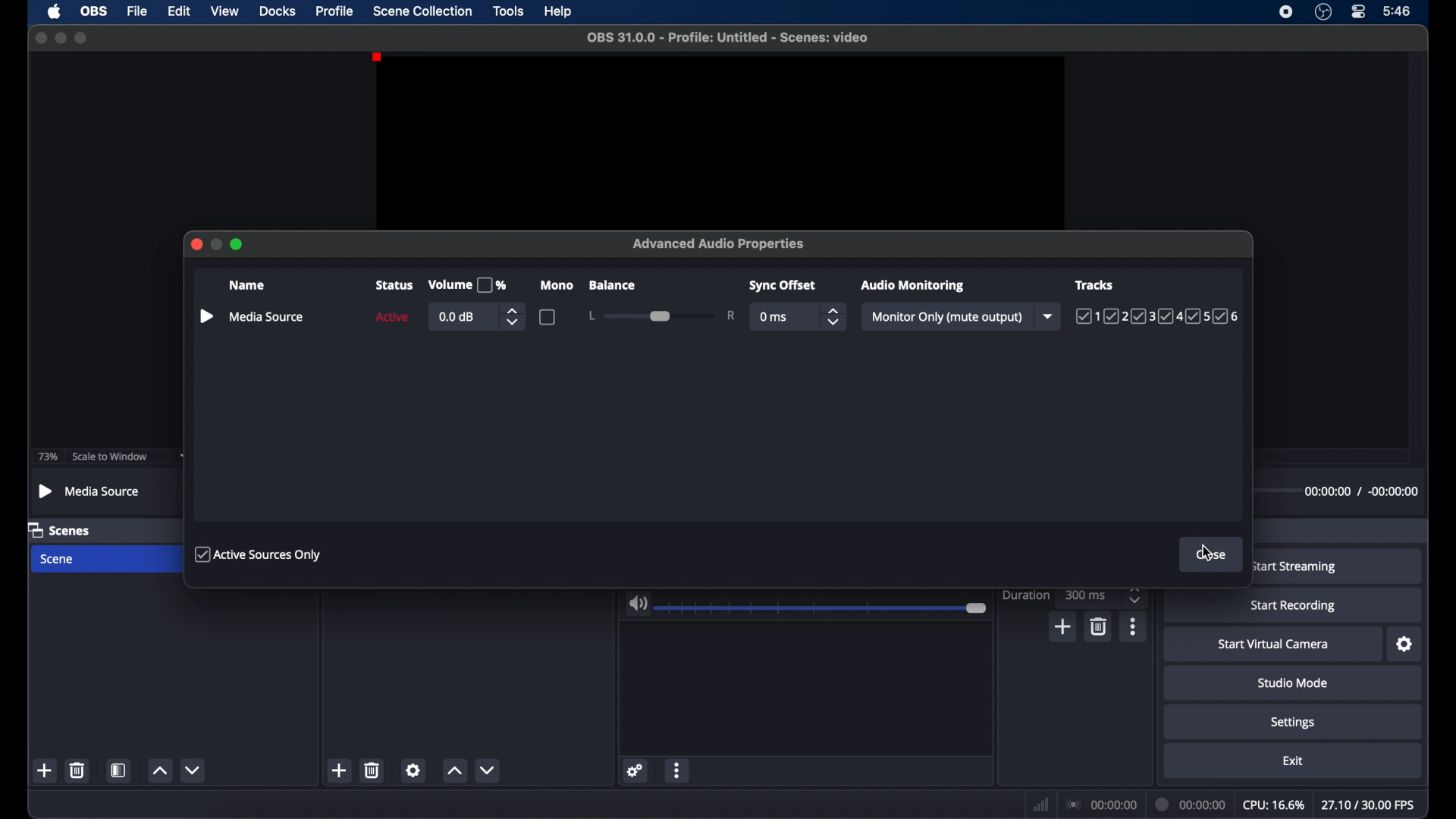 The image size is (1456, 819). Describe the element at coordinates (62, 531) in the screenshot. I see `scenes` at that location.